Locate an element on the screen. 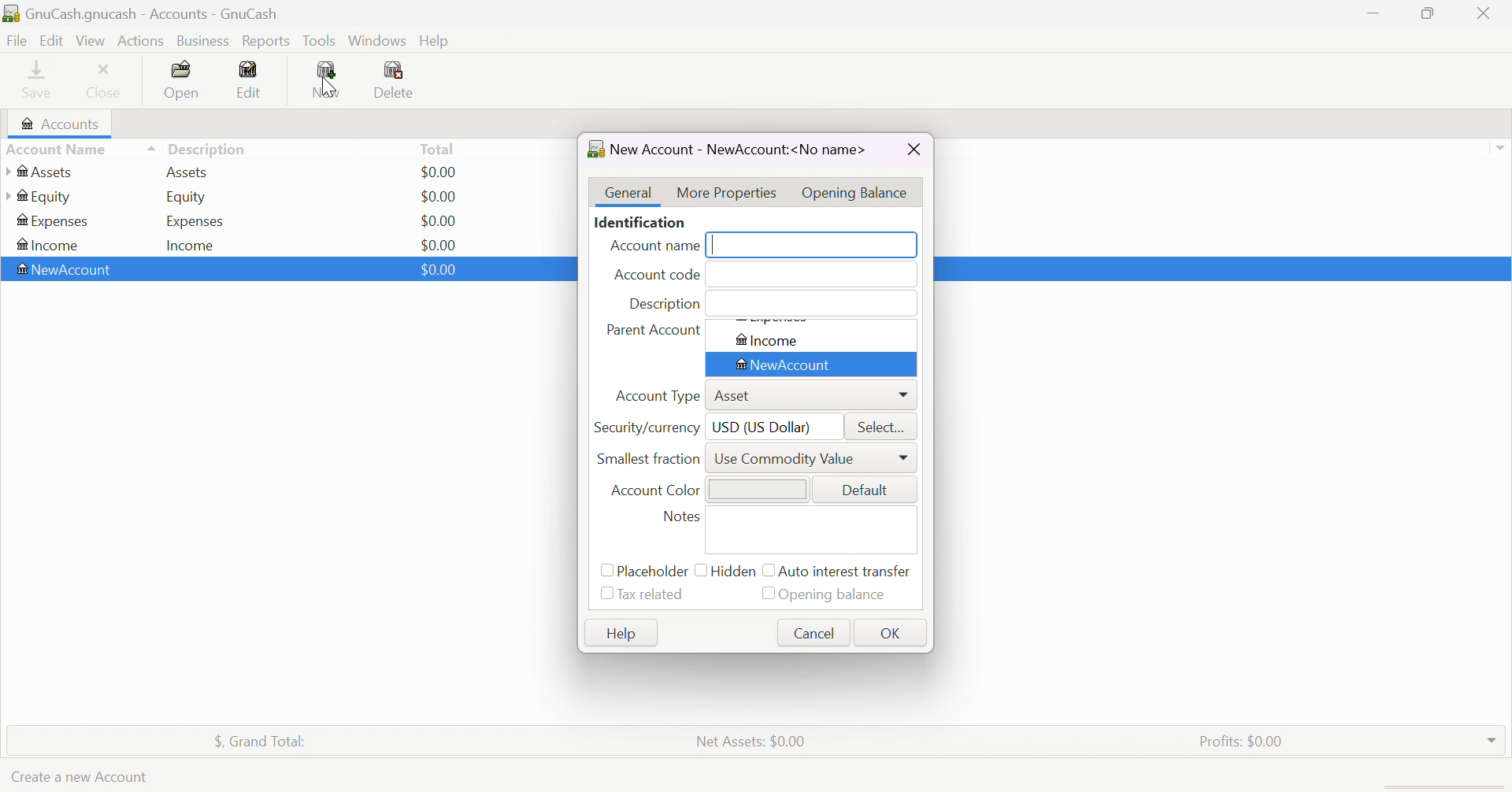 Image resolution: width=1512 pixels, height=792 pixels. Close is located at coordinates (105, 83).